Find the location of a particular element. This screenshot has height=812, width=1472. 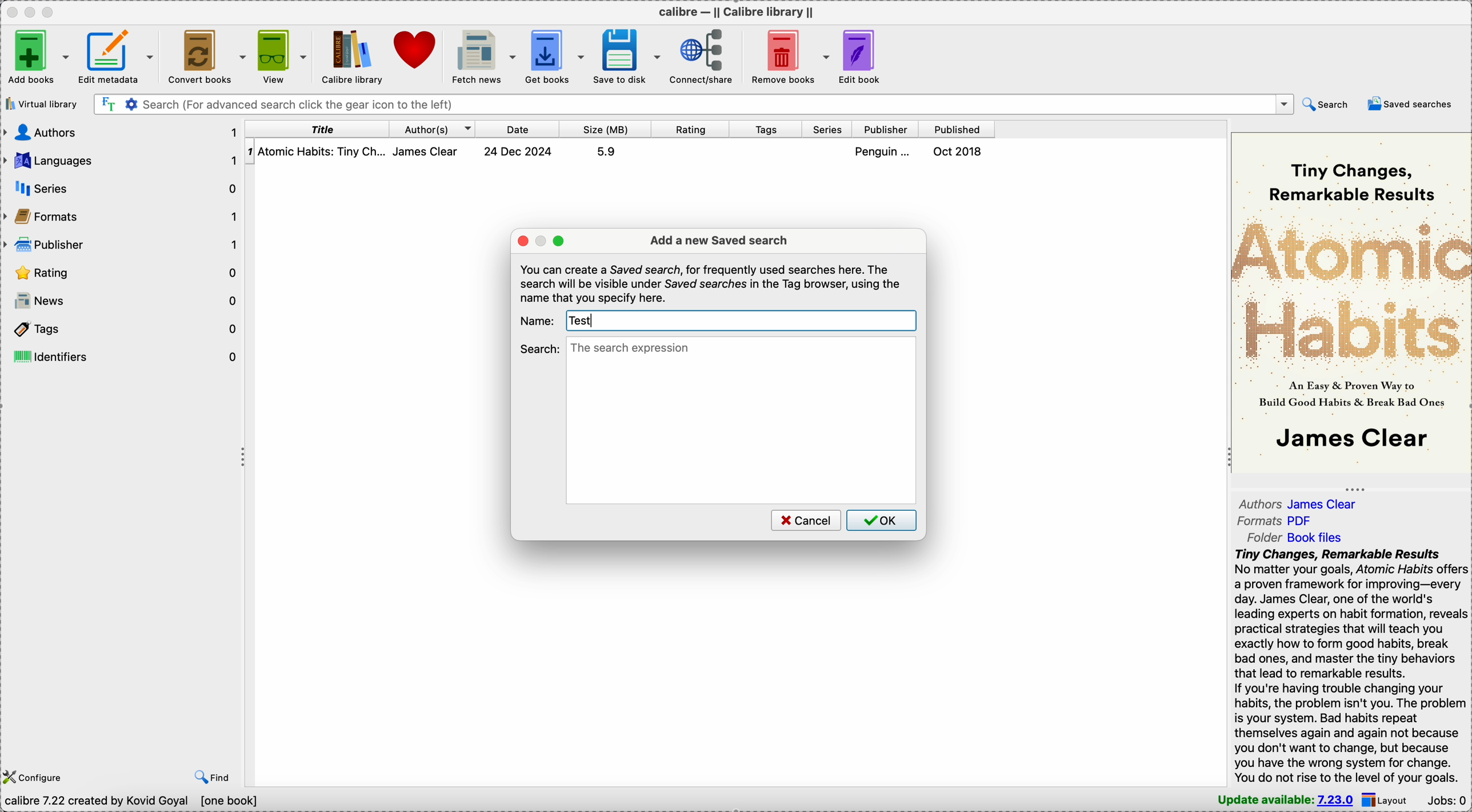

virtual library is located at coordinates (41, 104).